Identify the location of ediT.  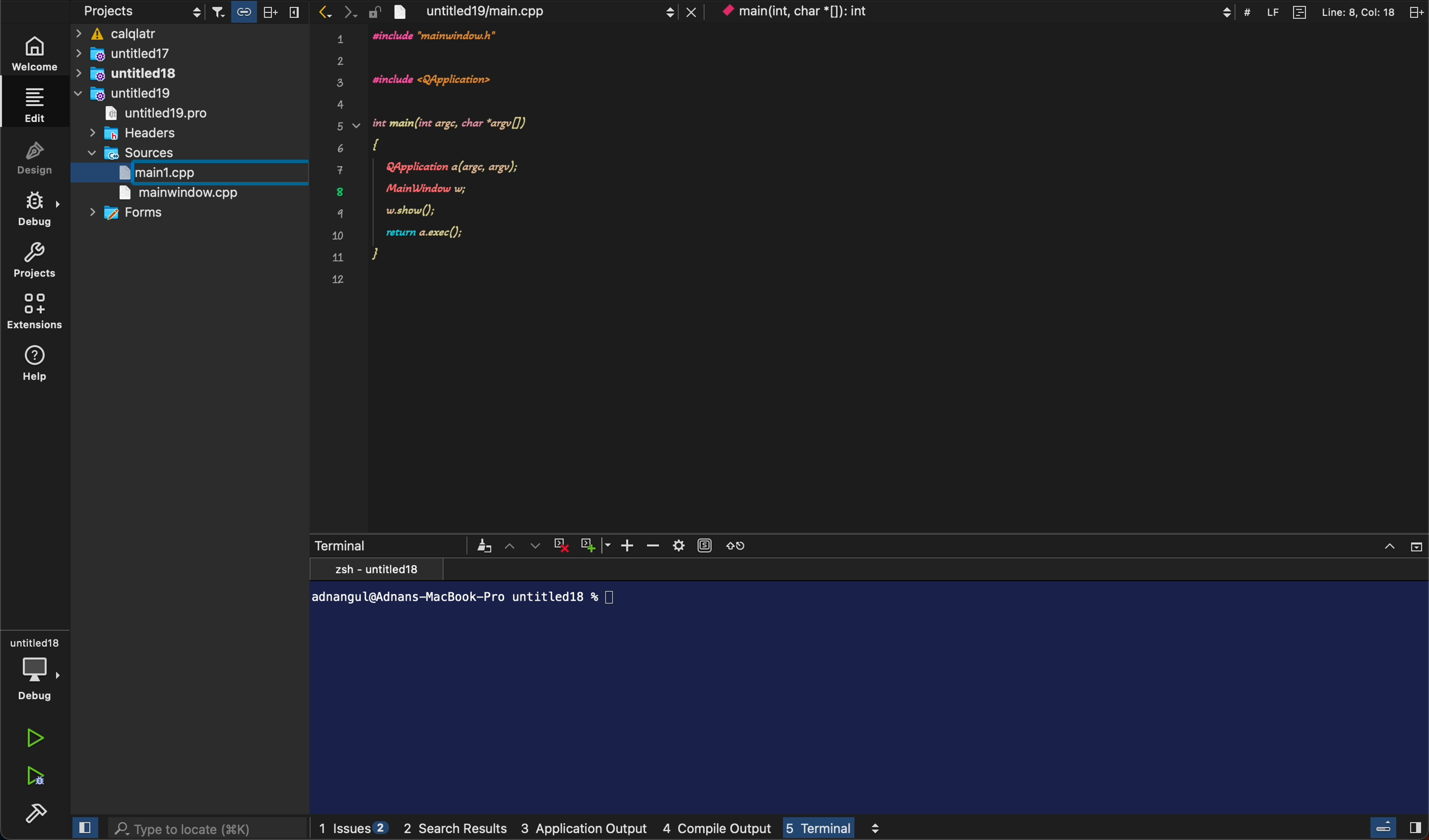
(36, 104).